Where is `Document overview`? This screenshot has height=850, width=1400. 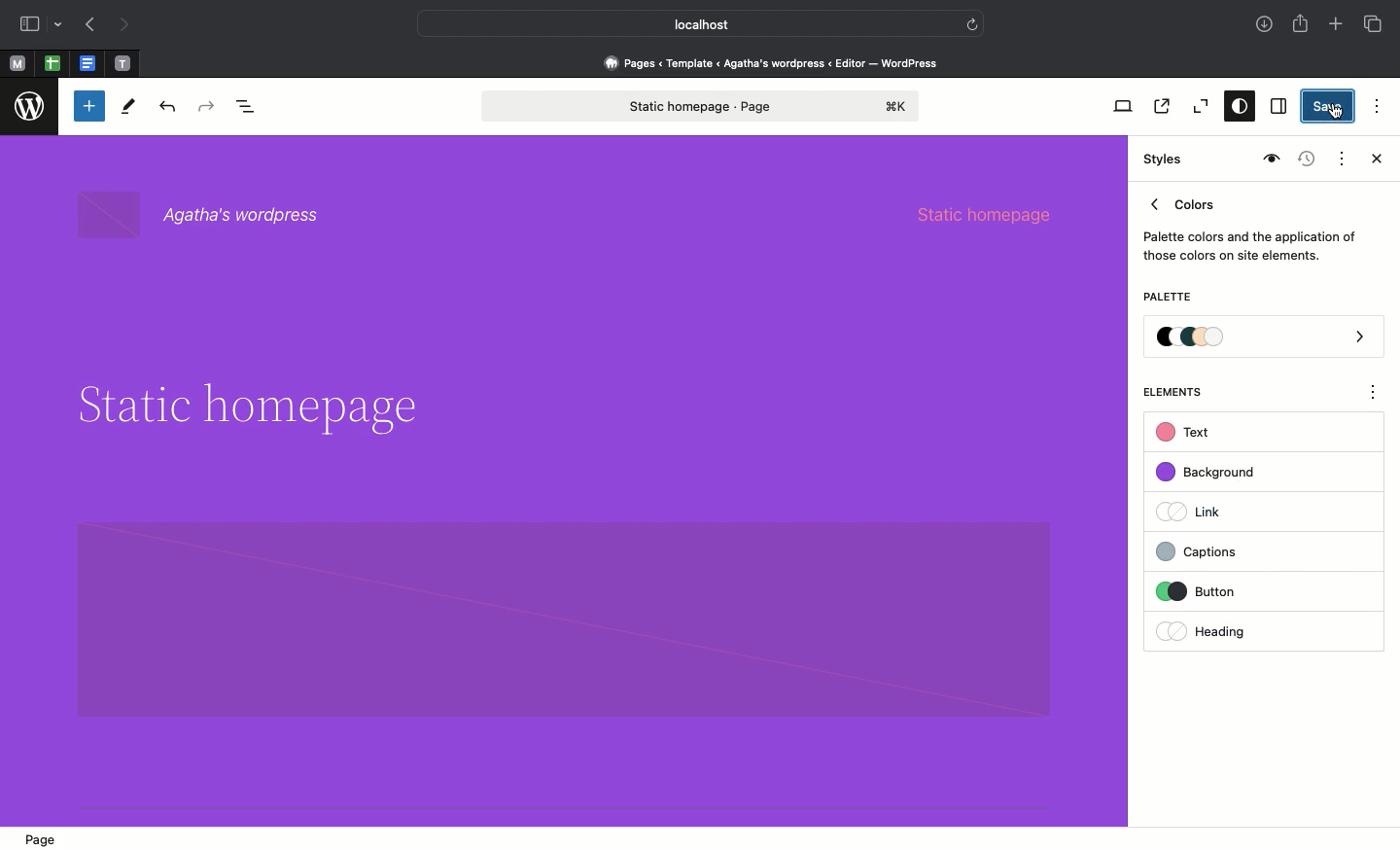
Document overview is located at coordinates (250, 108).